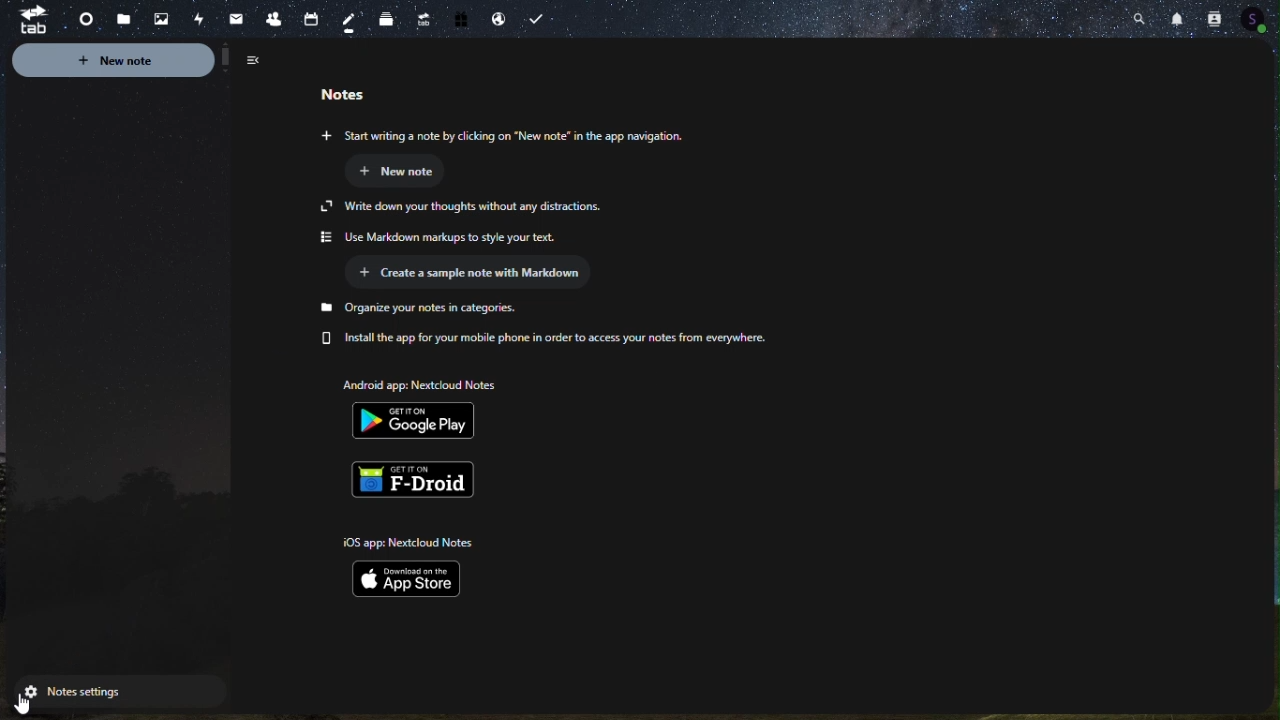 Image resolution: width=1280 pixels, height=720 pixels. I want to click on New note, so click(144, 61).